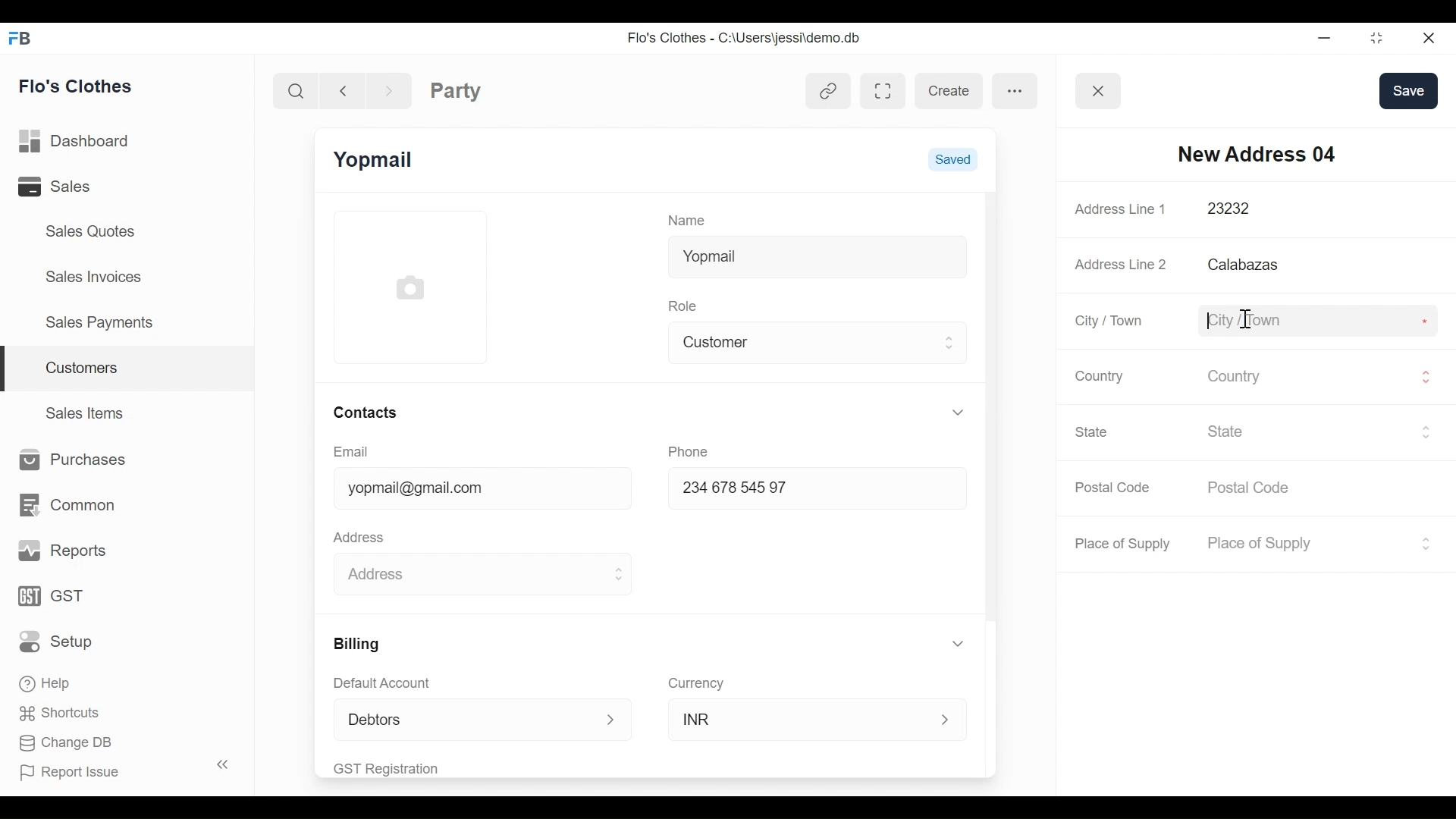  What do you see at coordinates (1308, 431) in the screenshot?
I see `State` at bounding box center [1308, 431].